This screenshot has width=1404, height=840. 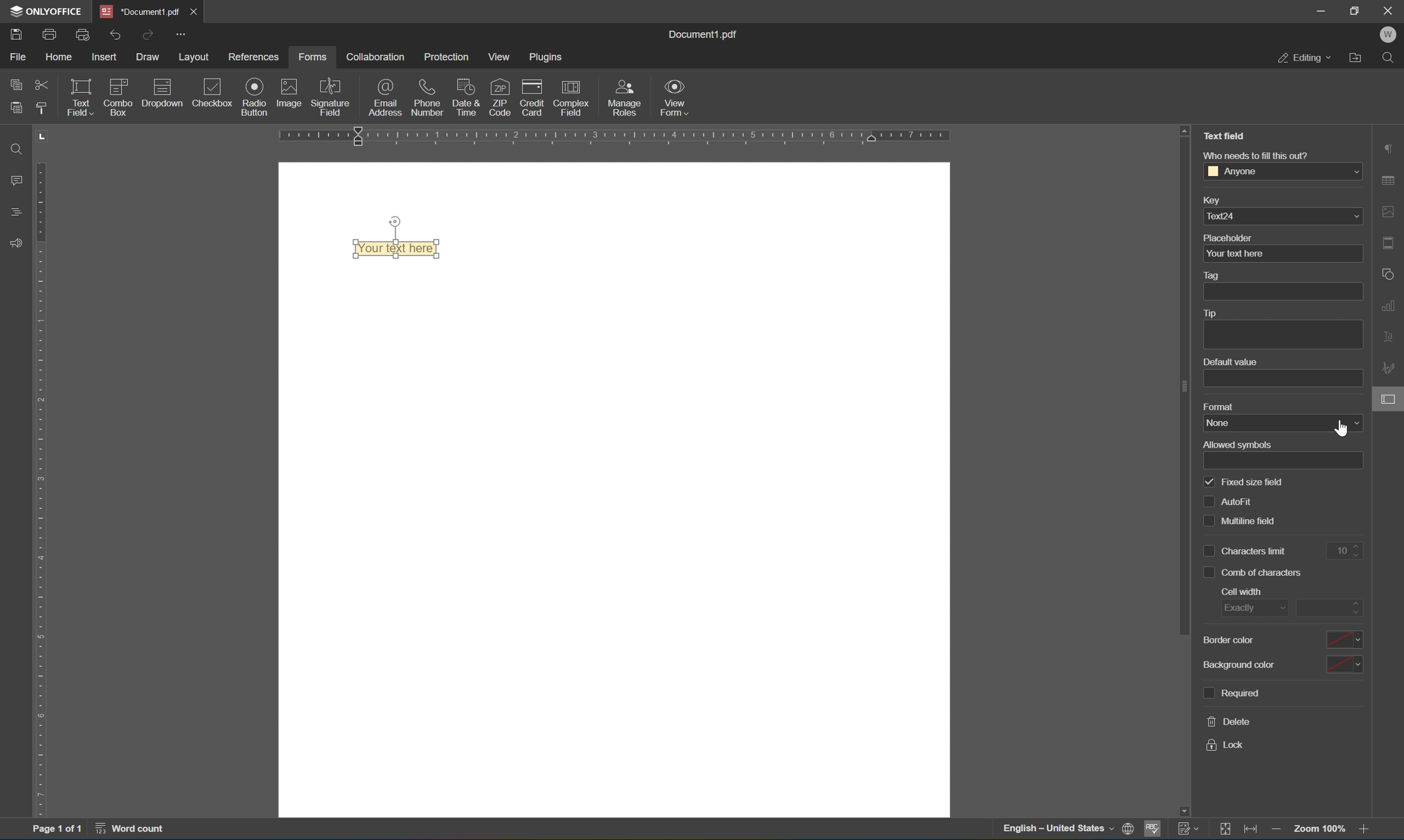 What do you see at coordinates (1228, 500) in the screenshot?
I see `autofit` at bounding box center [1228, 500].